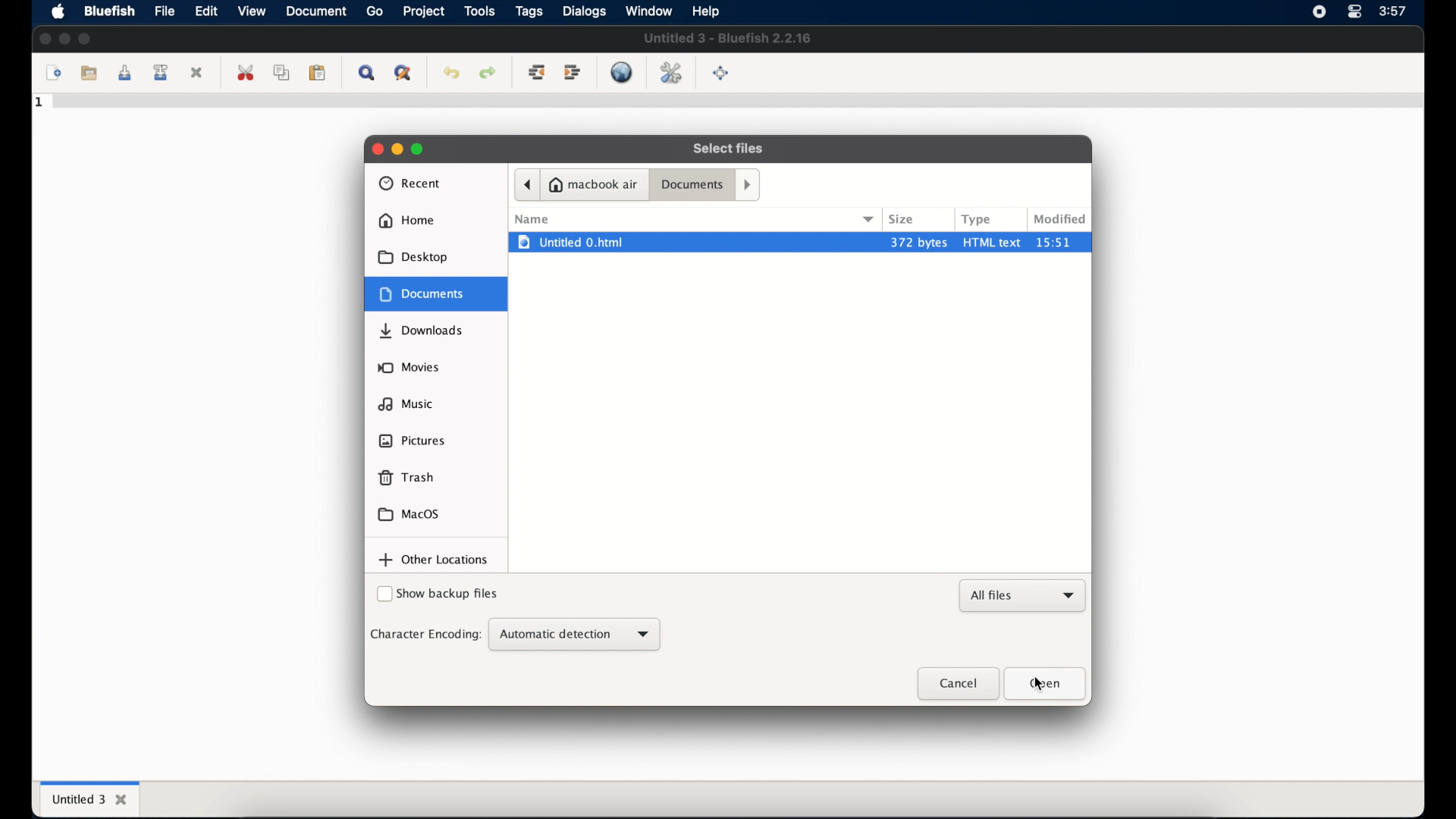 This screenshot has height=819, width=1456. Describe the element at coordinates (434, 560) in the screenshot. I see `other locations` at that location.